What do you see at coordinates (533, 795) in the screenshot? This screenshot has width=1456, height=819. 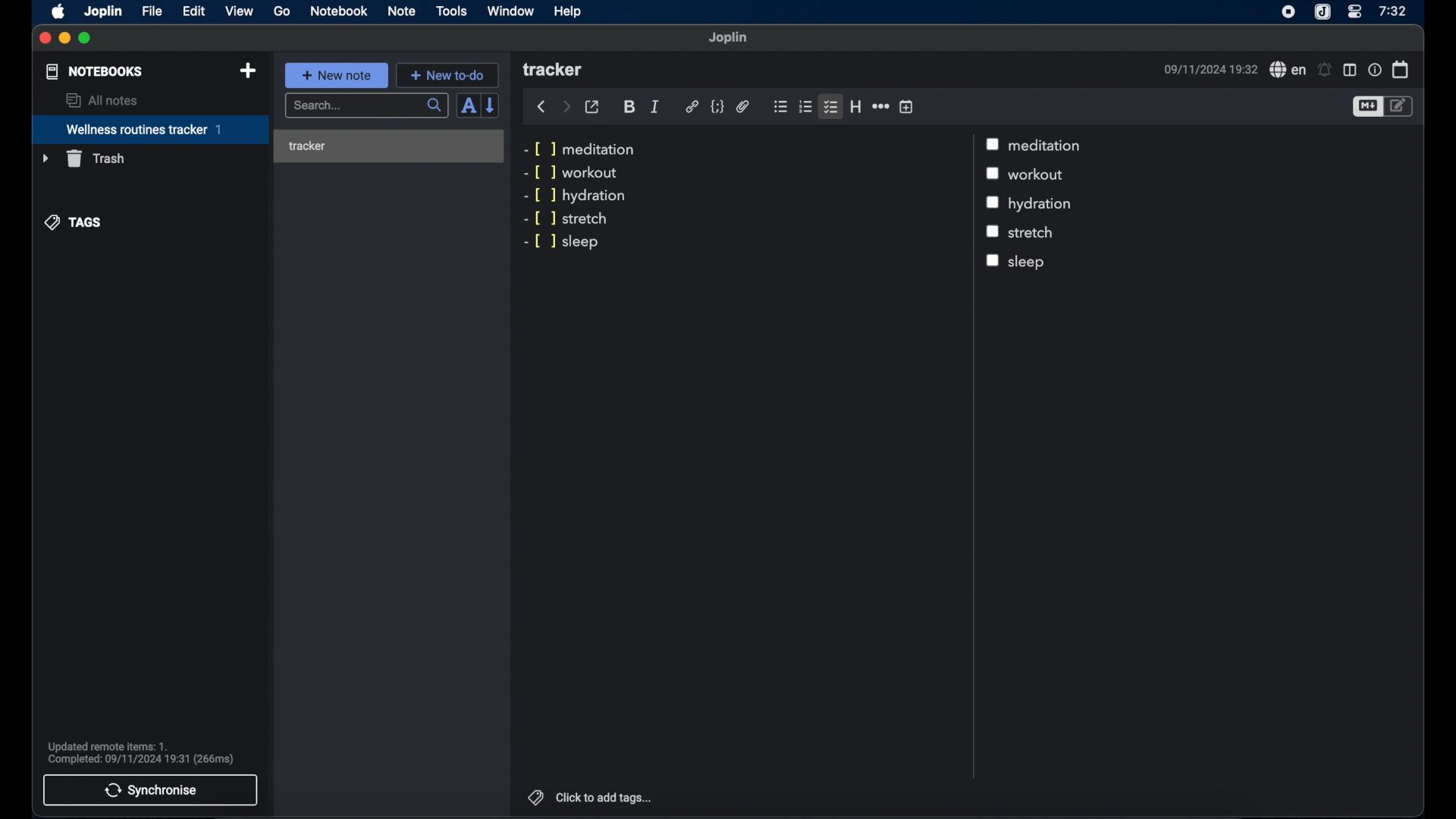 I see `tags` at bounding box center [533, 795].